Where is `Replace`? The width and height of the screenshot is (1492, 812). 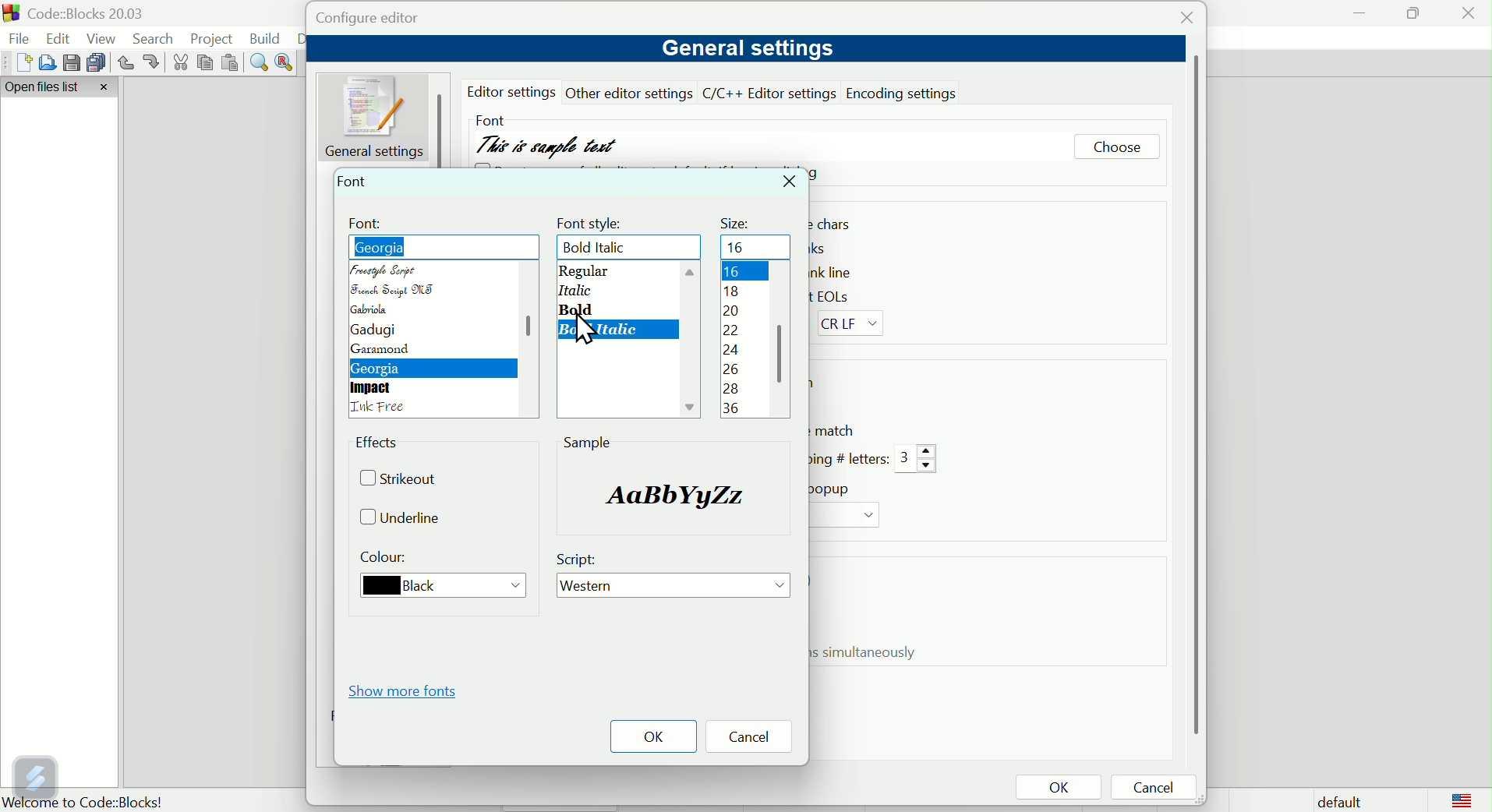 Replace is located at coordinates (286, 61).